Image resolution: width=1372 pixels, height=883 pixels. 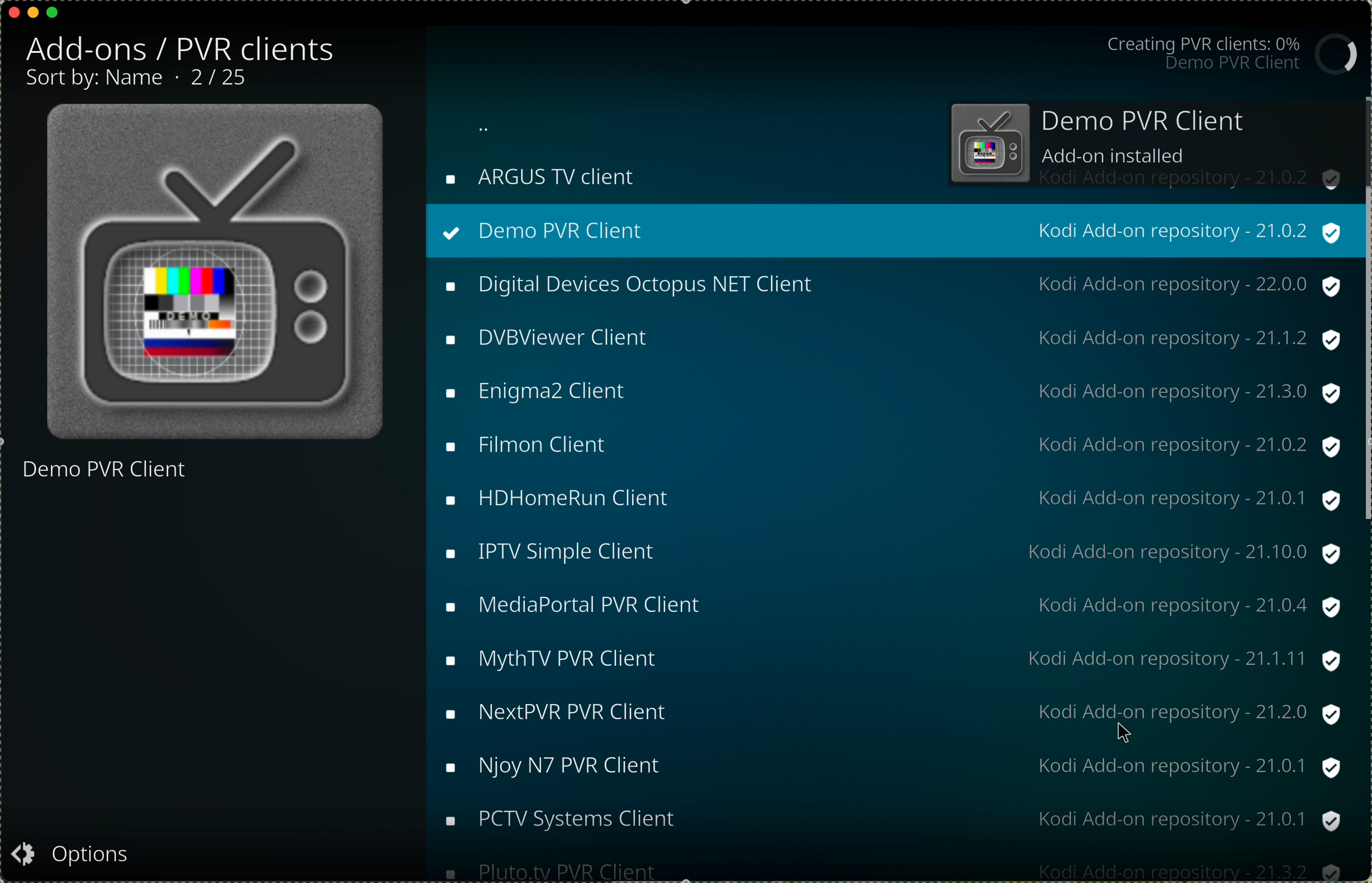 I want to click on minimize, so click(x=33, y=17).